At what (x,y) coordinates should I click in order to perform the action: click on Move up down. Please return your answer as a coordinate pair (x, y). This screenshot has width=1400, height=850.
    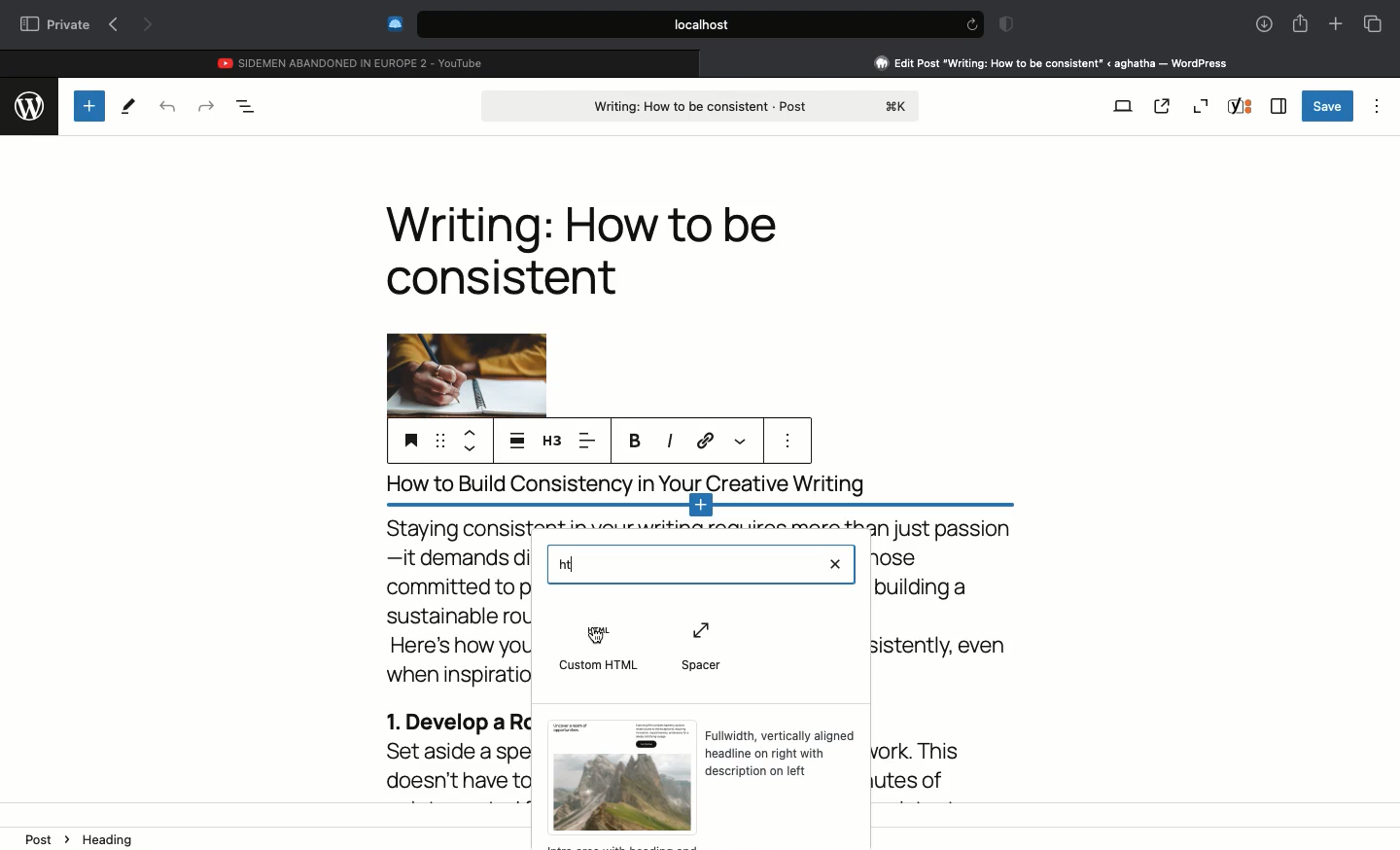
    Looking at the image, I should click on (471, 442).